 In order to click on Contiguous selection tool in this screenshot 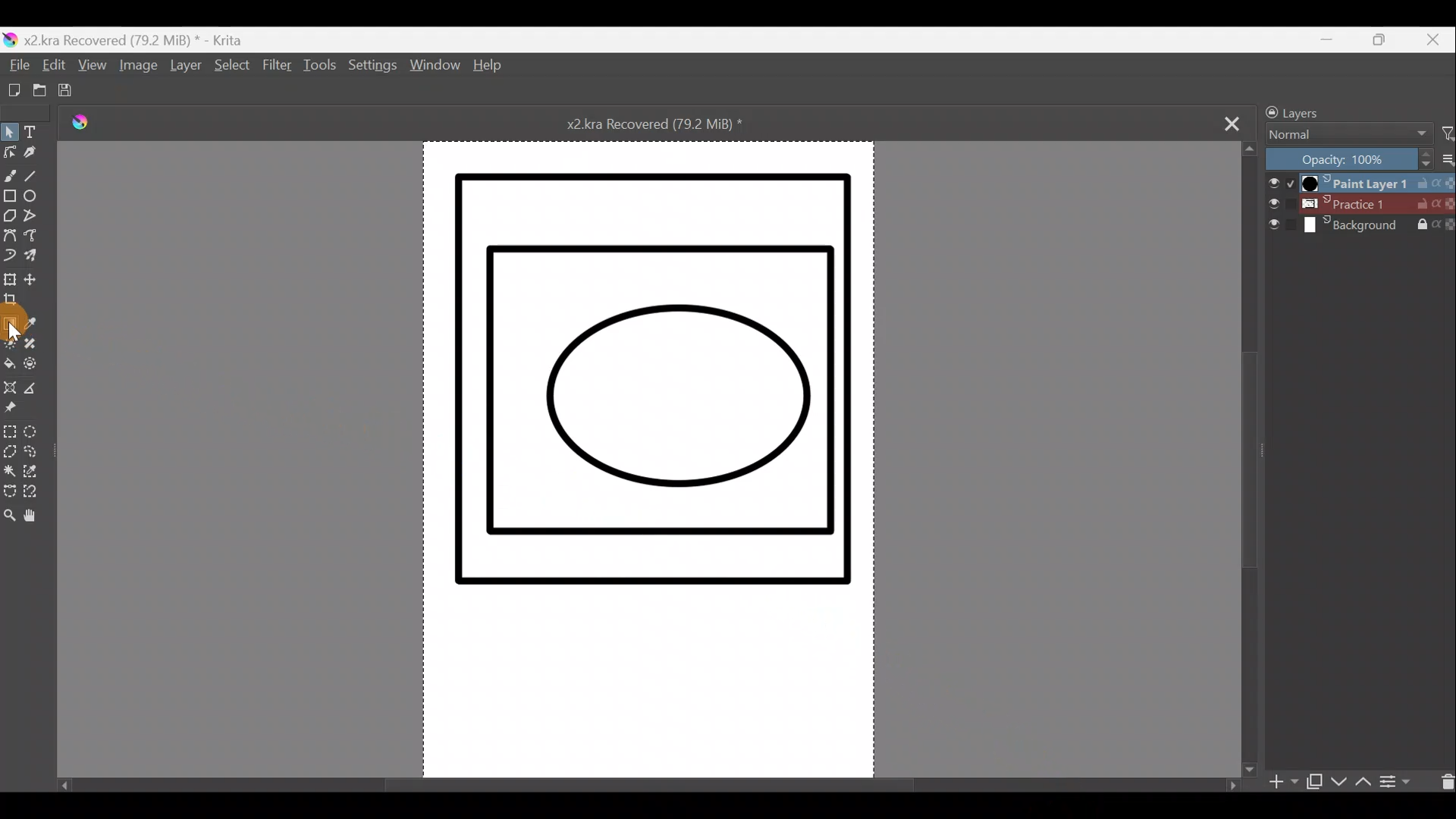, I will do `click(10, 472)`.